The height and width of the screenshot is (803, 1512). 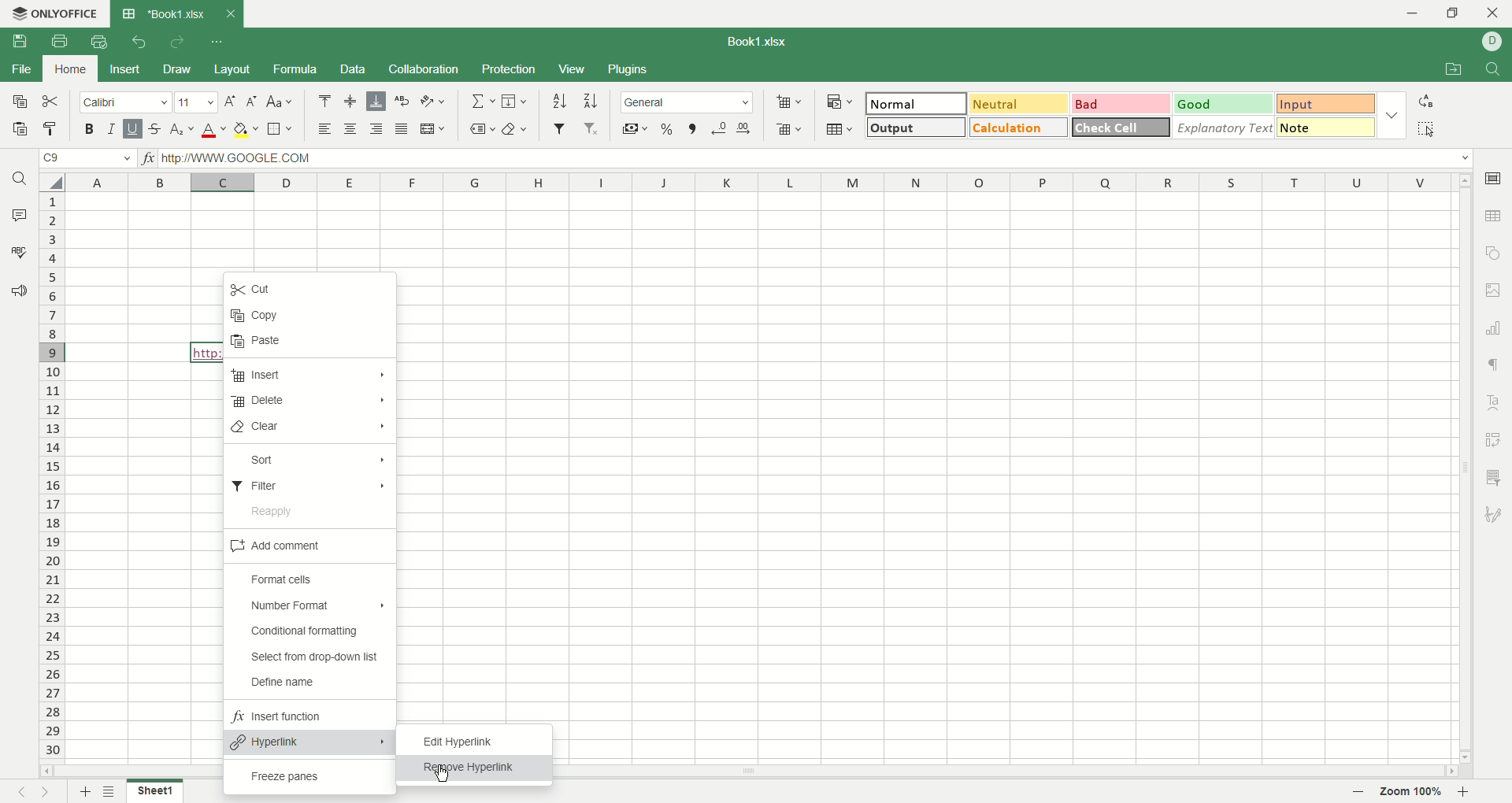 I want to click on home, so click(x=67, y=68).